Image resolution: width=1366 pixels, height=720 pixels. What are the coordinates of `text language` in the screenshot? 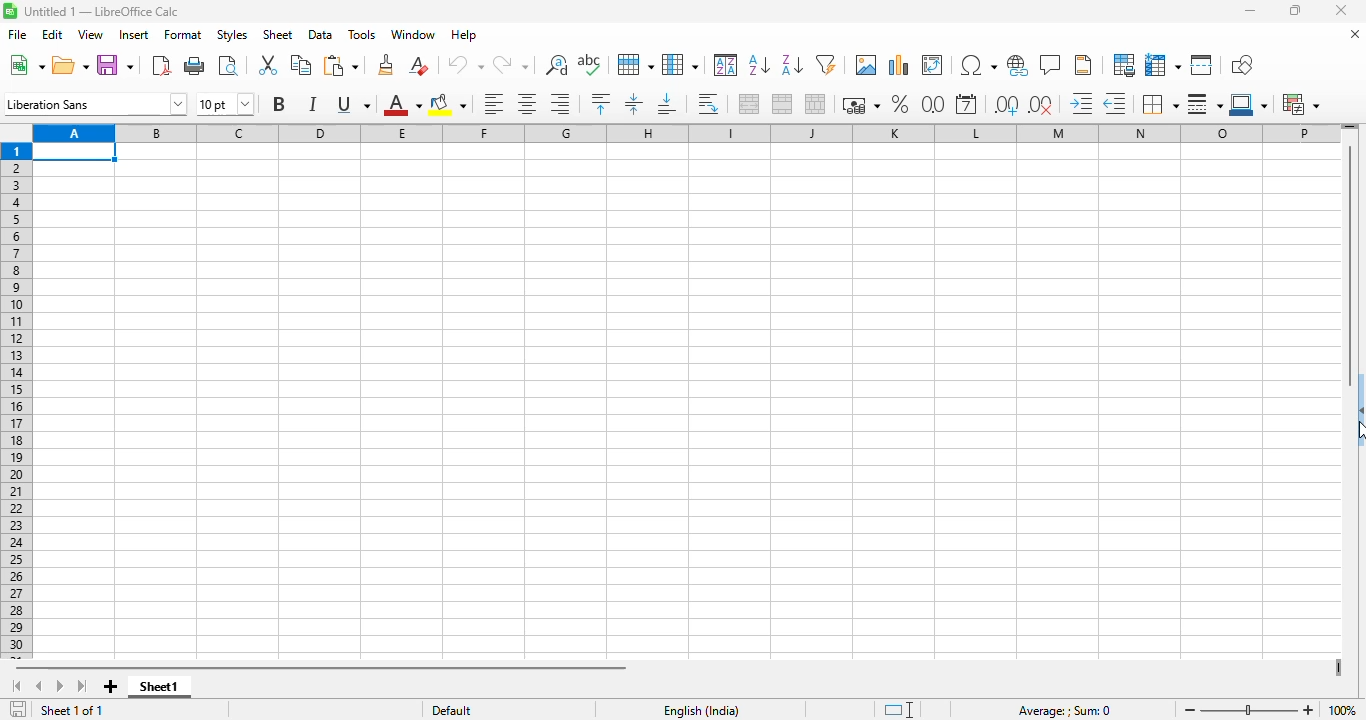 It's located at (700, 711).